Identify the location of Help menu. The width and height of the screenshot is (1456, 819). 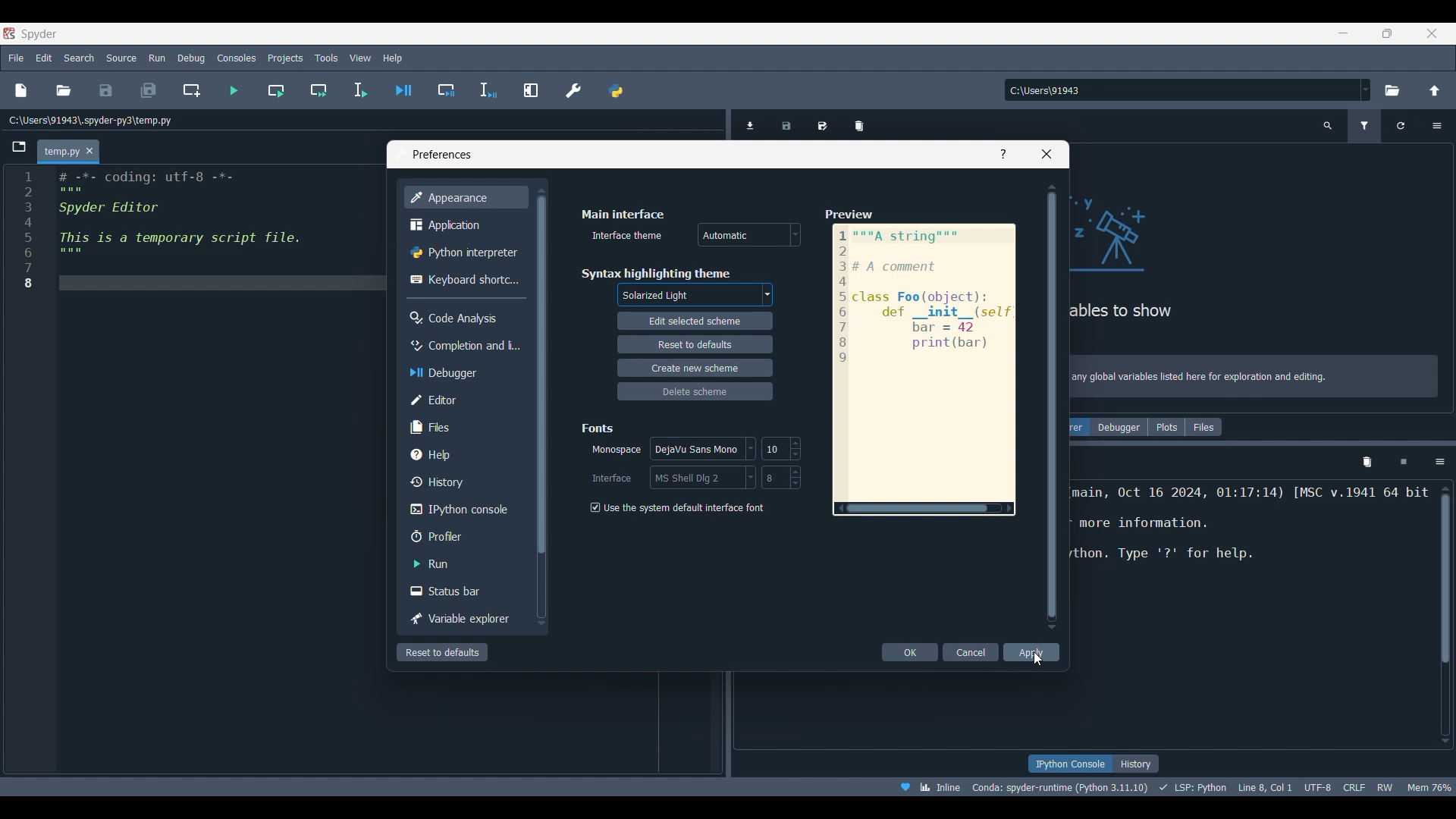
(393, 58).